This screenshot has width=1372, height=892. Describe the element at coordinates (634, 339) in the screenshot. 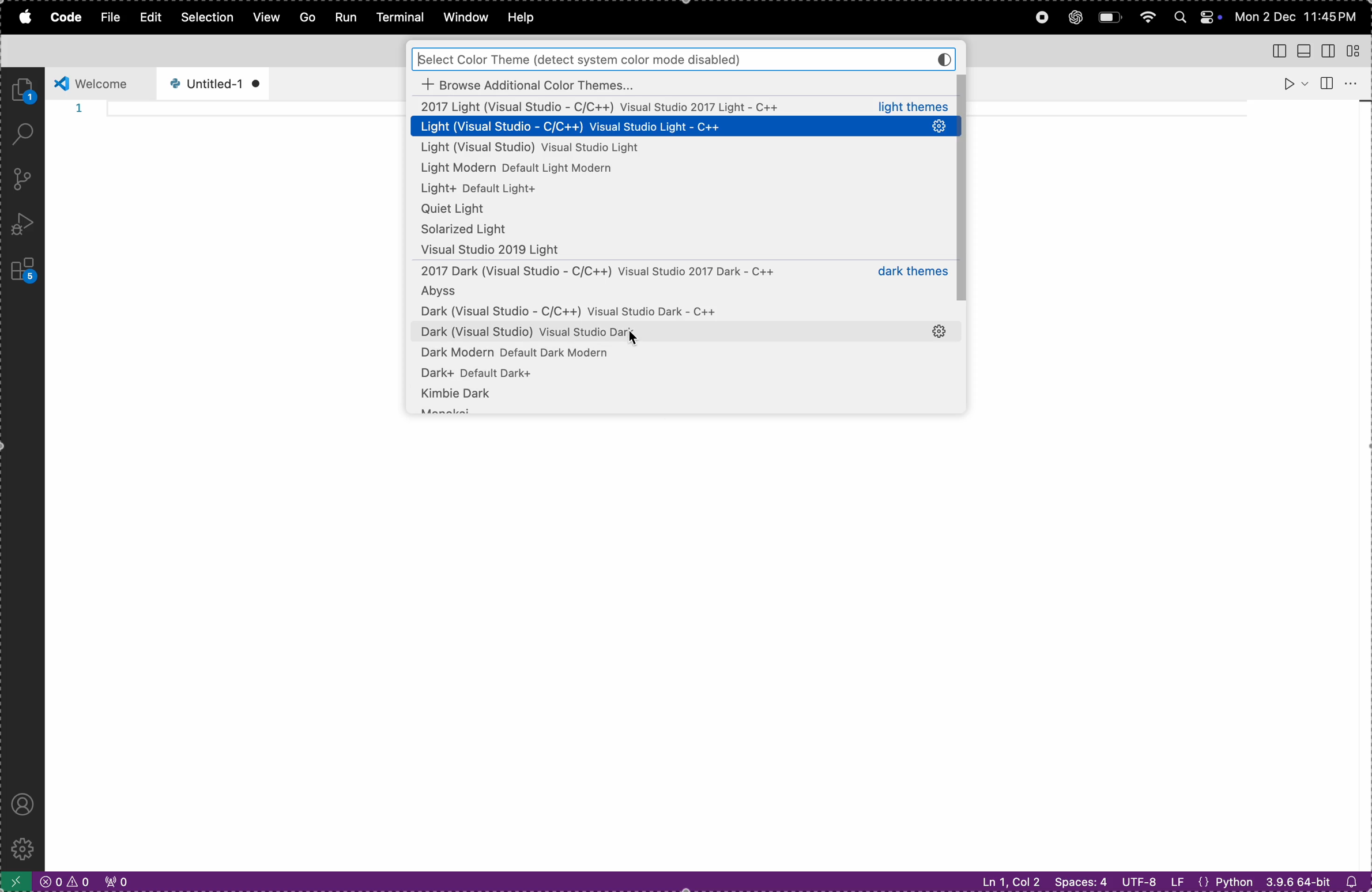

I see `Cursor` at that location.